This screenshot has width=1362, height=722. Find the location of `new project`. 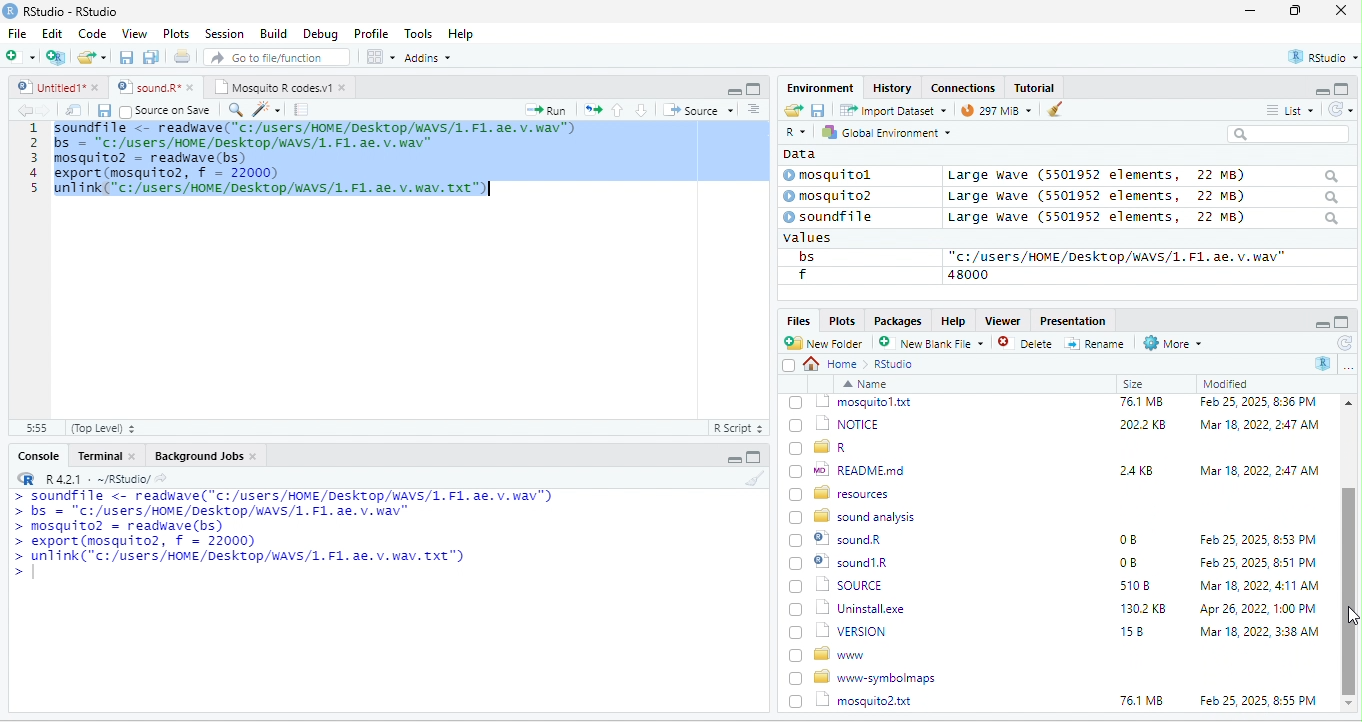

new project is located at coordinates (57, 57).